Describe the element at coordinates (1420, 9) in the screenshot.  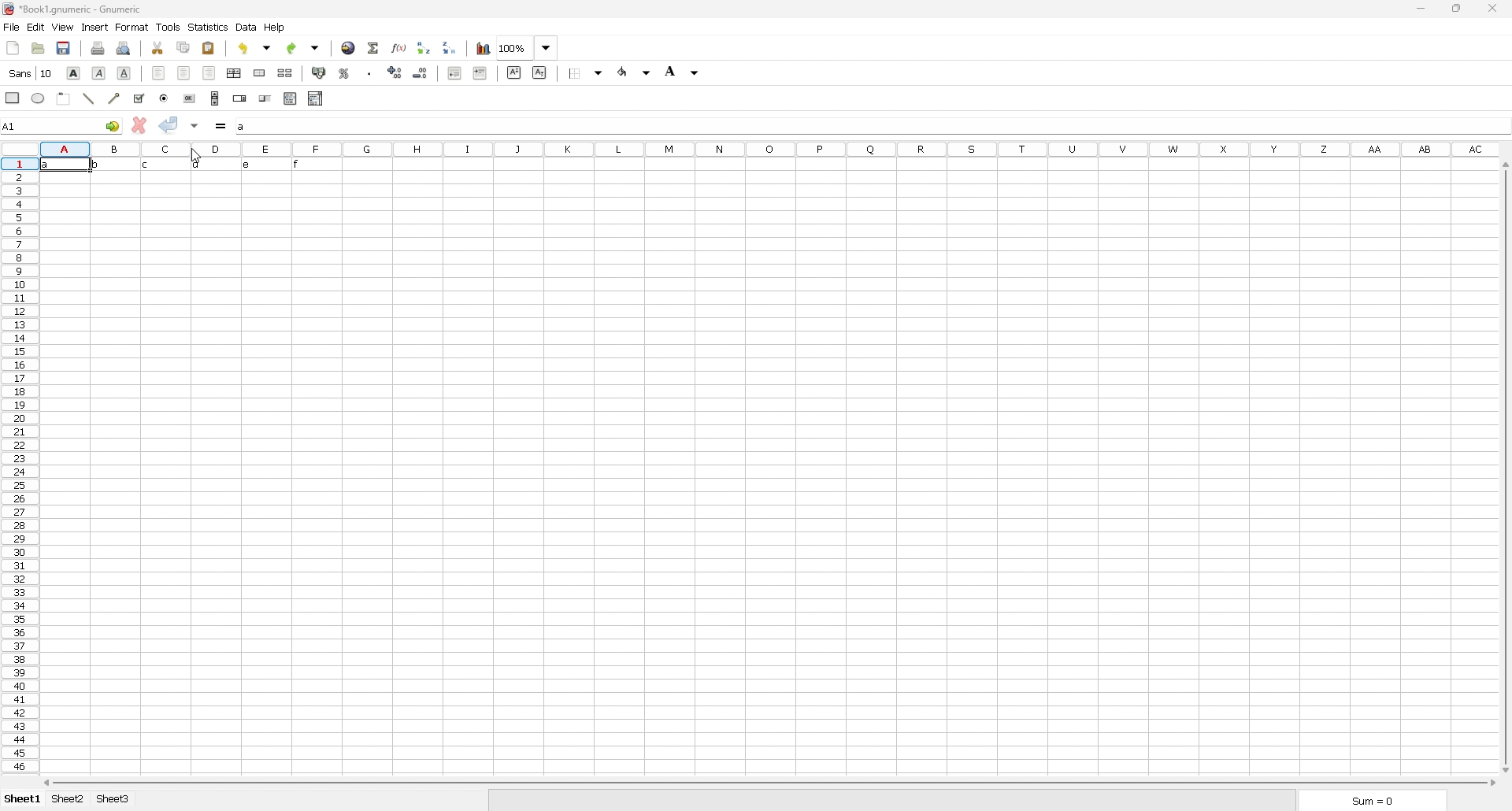
I see `minimize` at that location.